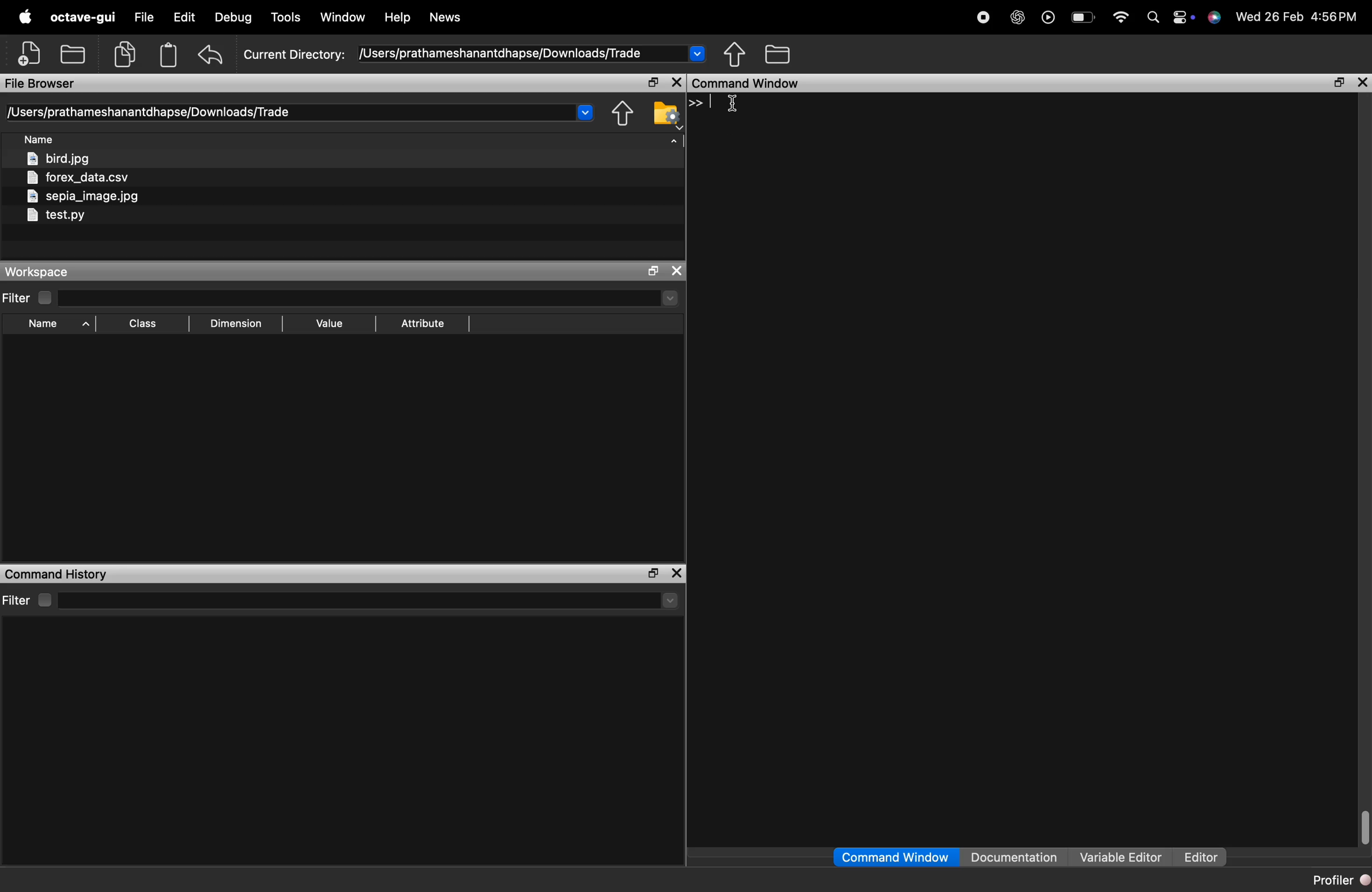  I want to click on share, so click(621, 114).